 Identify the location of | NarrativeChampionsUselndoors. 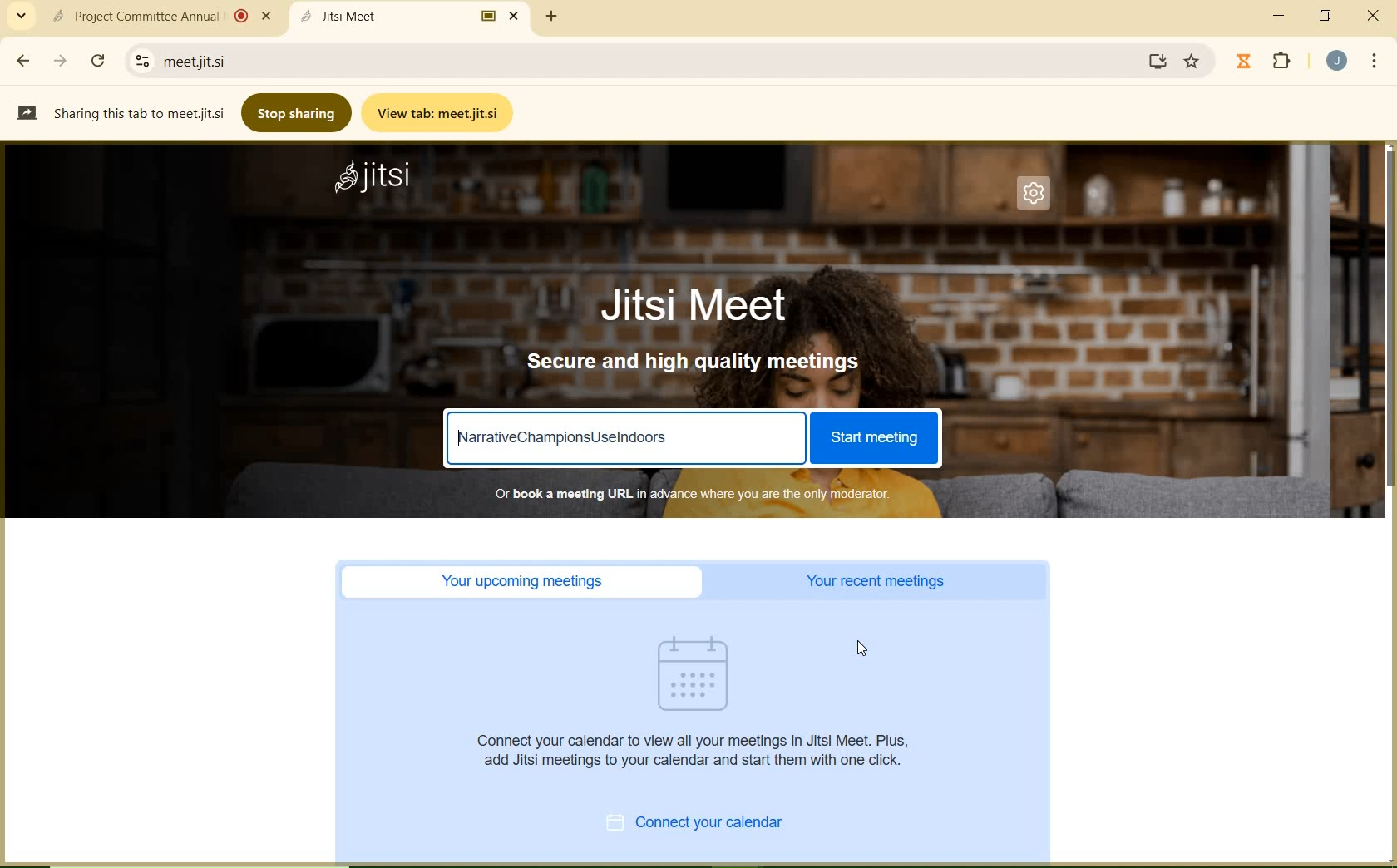
(632, 436).